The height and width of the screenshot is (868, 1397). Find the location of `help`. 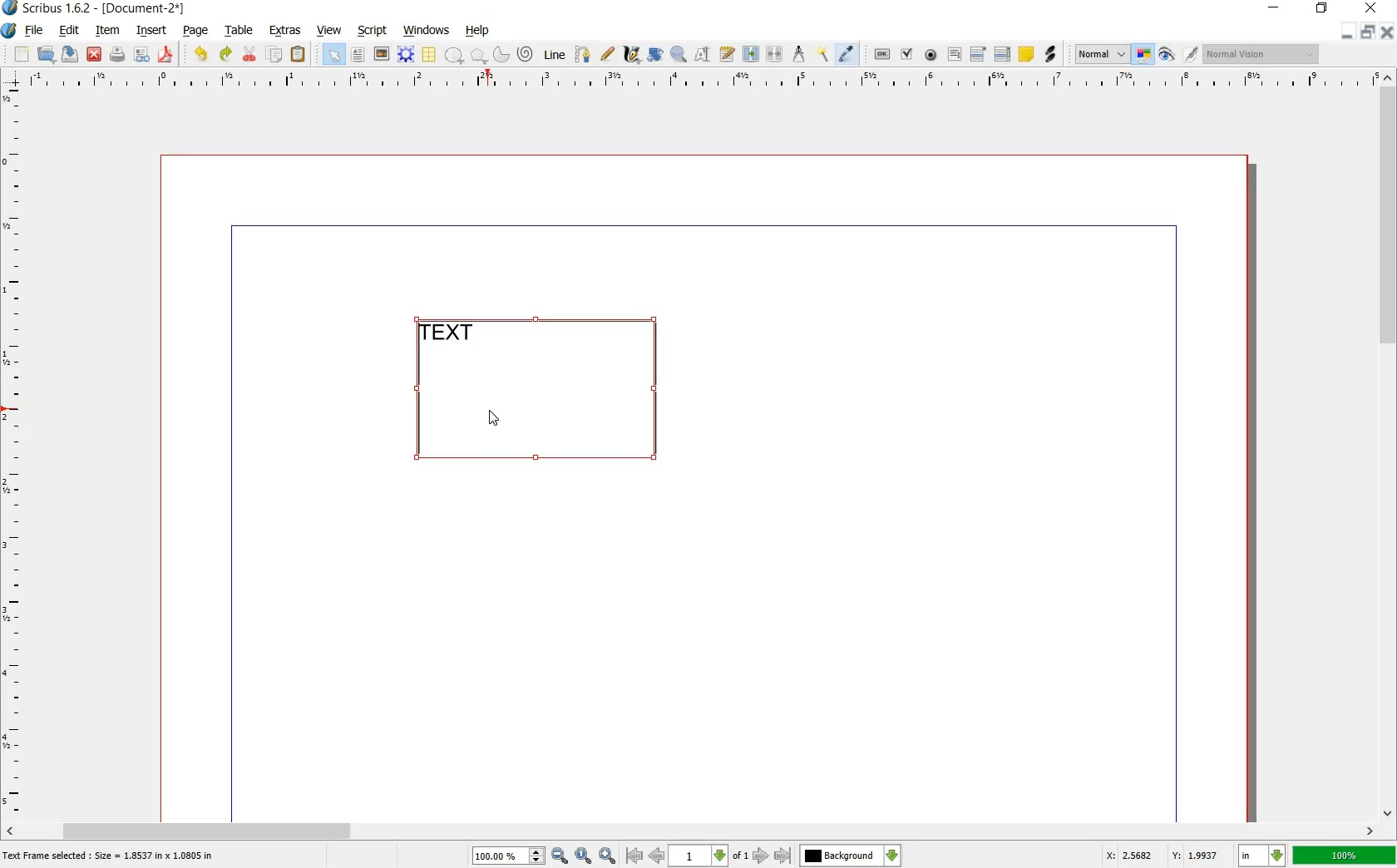

help is located at coordinates (478, 31).